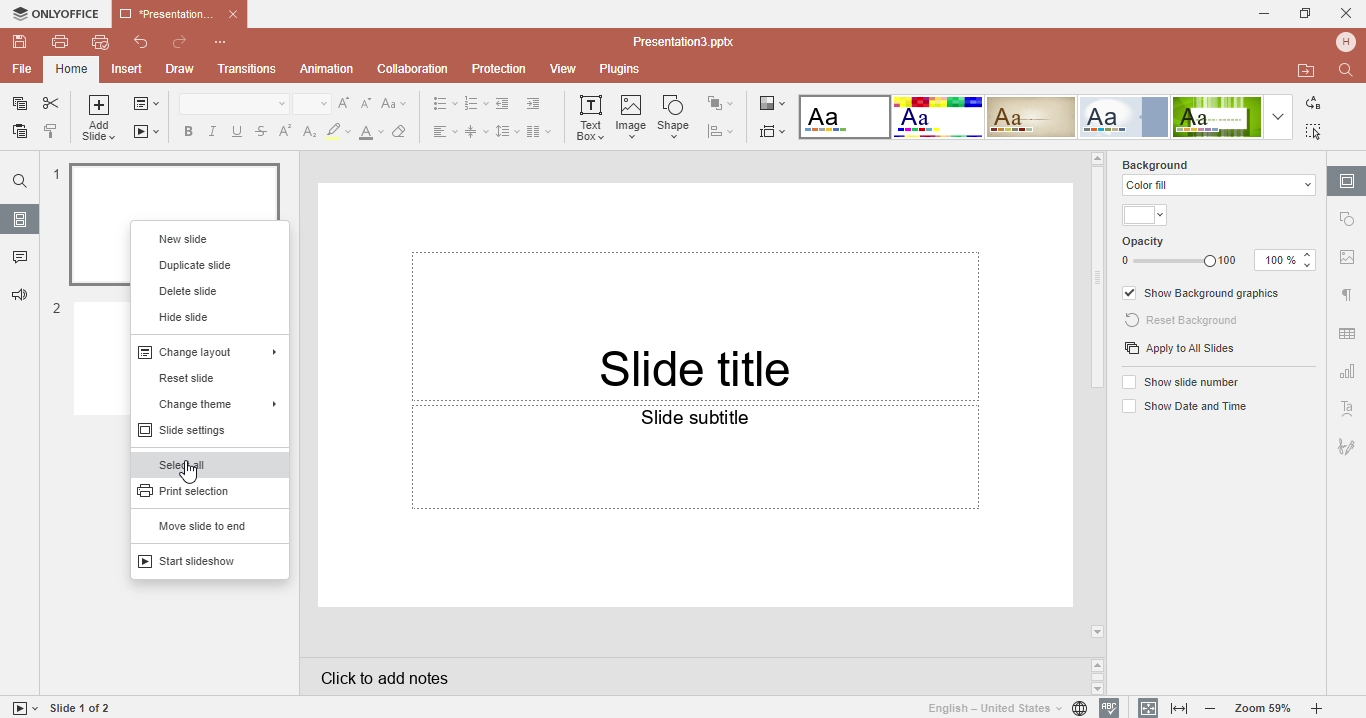 Image resolution: width=1366 pixels, height=718 pixels. I want to click on Fit to slidee, so click(1144, 707).